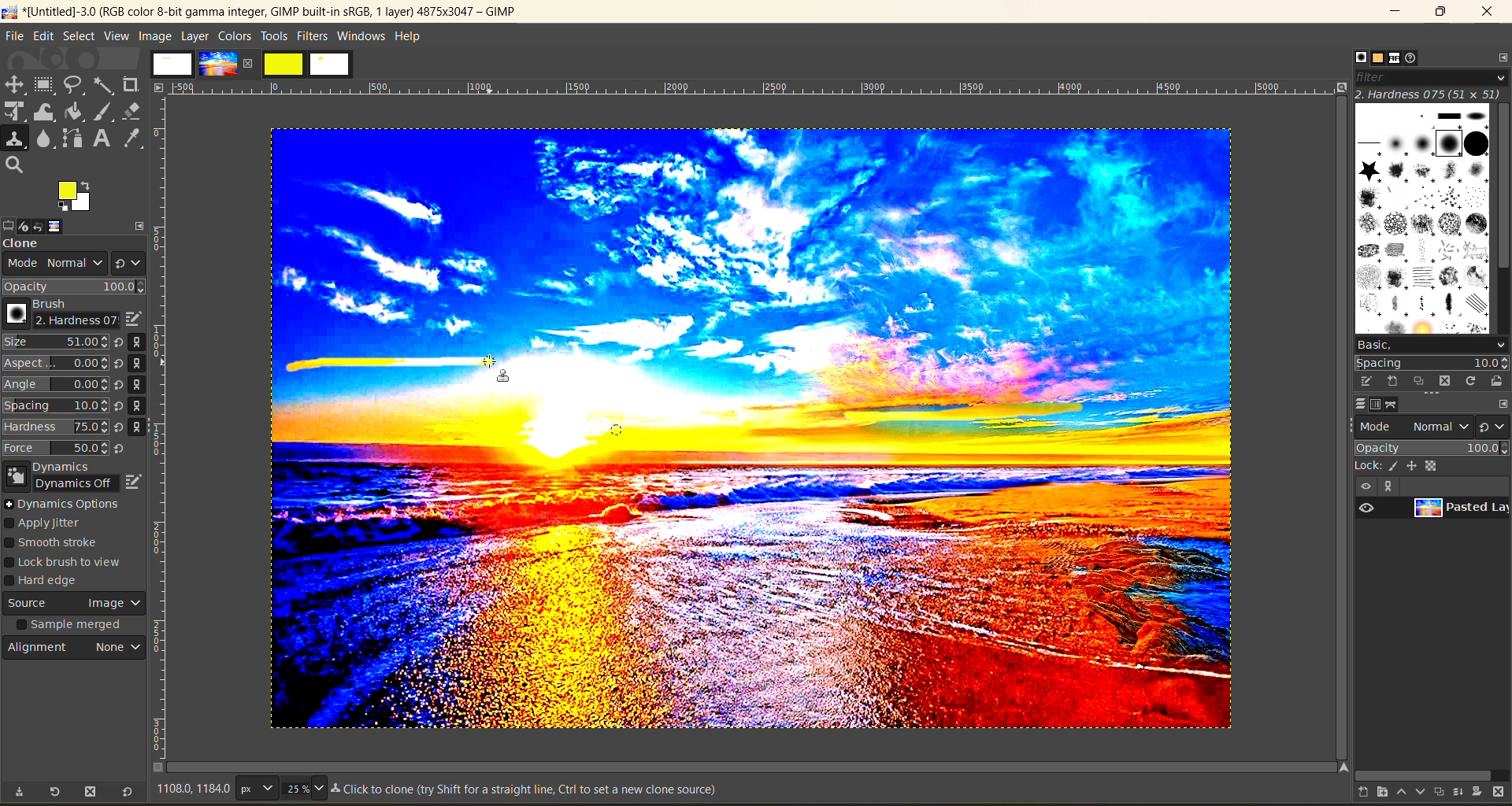  What do you see at coordinates (91, 793) in the screenshot?
I see `delete tool preset` at bounding box center [91, 793].